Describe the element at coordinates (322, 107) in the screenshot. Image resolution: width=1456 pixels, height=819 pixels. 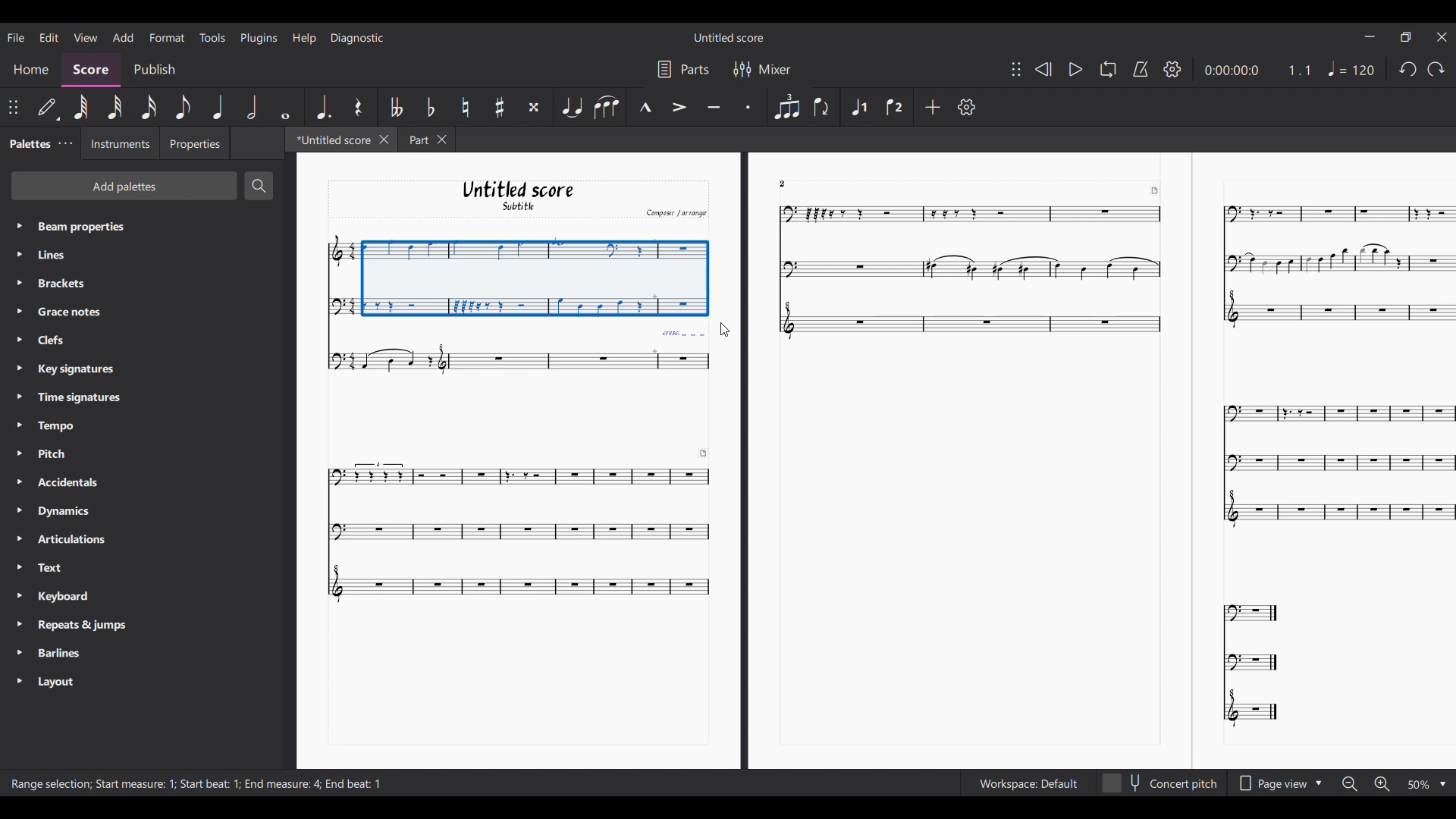
I see `Augmentation dot` at that location.